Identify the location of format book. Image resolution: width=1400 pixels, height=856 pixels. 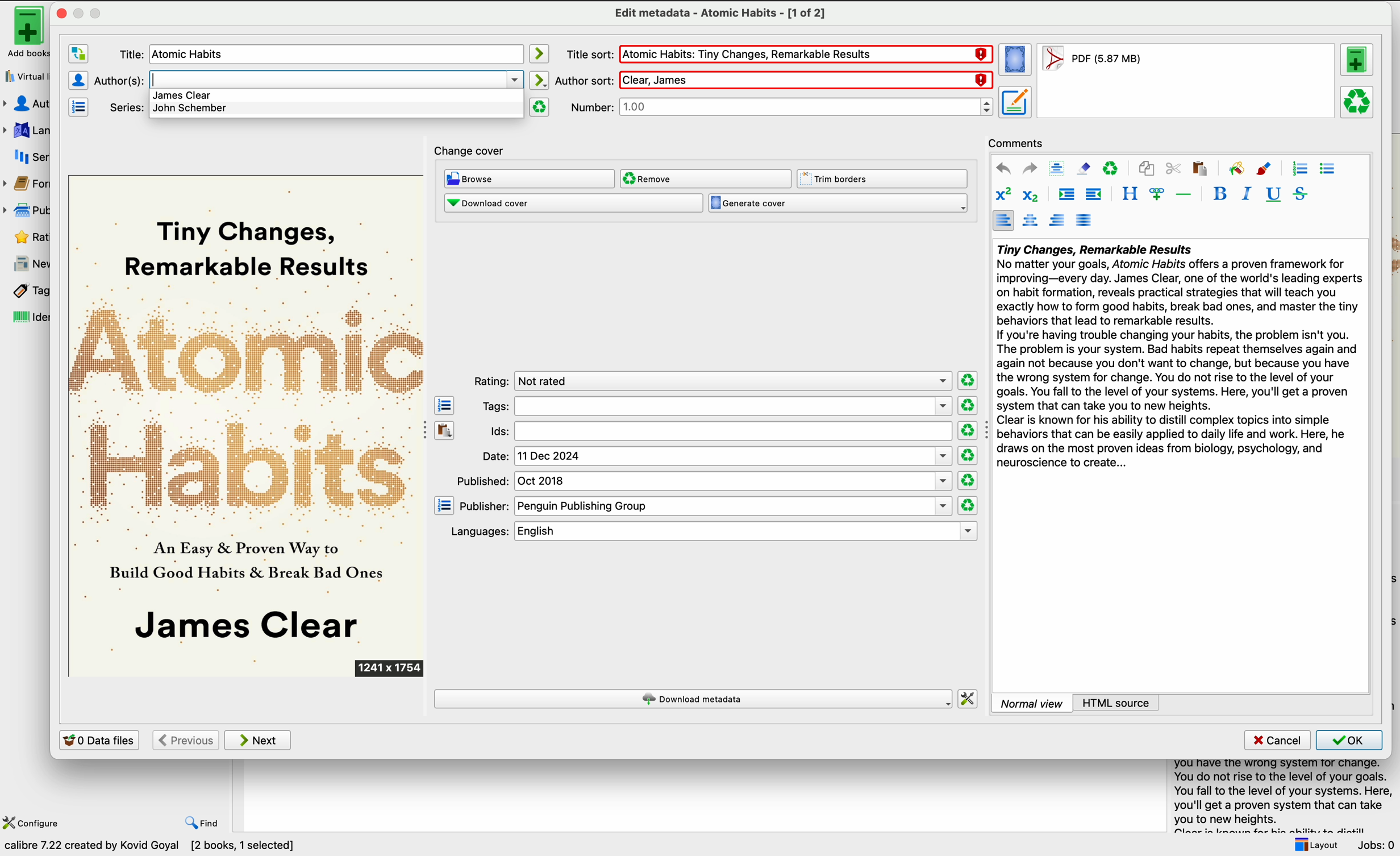
(1091, 61).